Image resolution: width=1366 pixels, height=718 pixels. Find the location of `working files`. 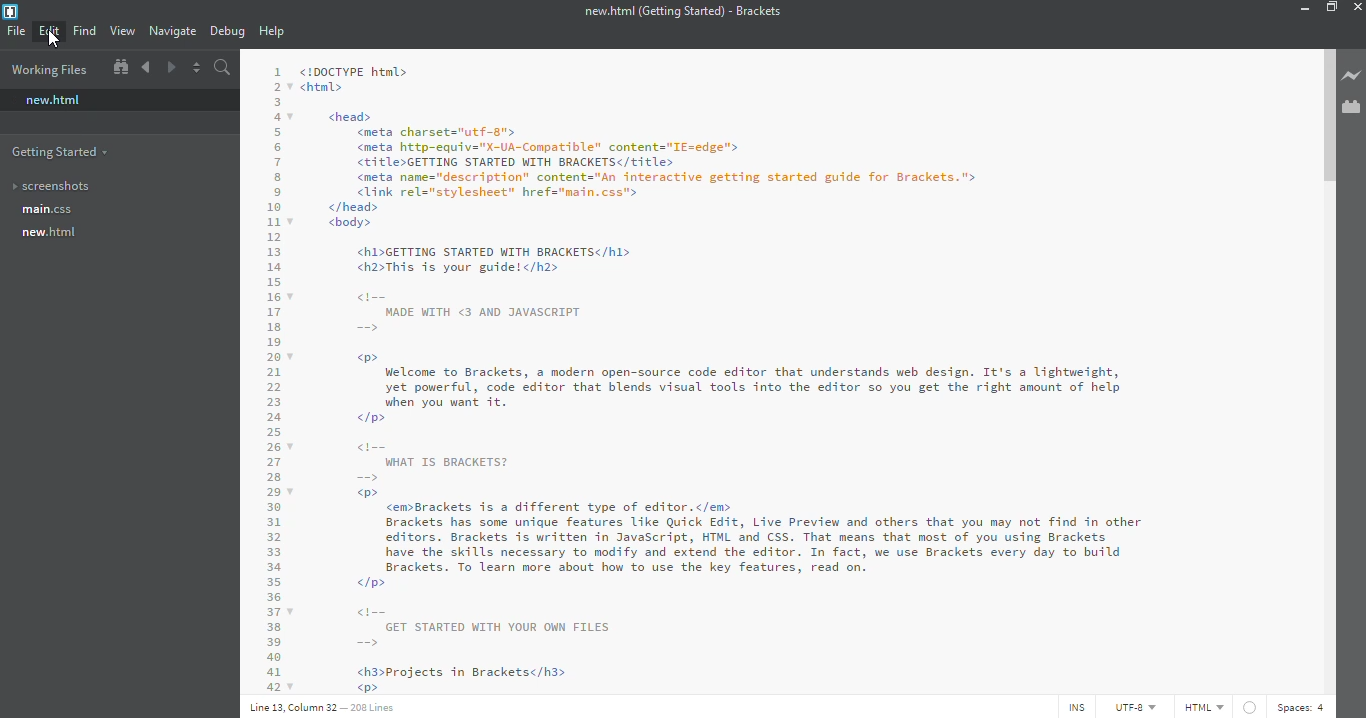

working files is located at coordinates (49, 69).